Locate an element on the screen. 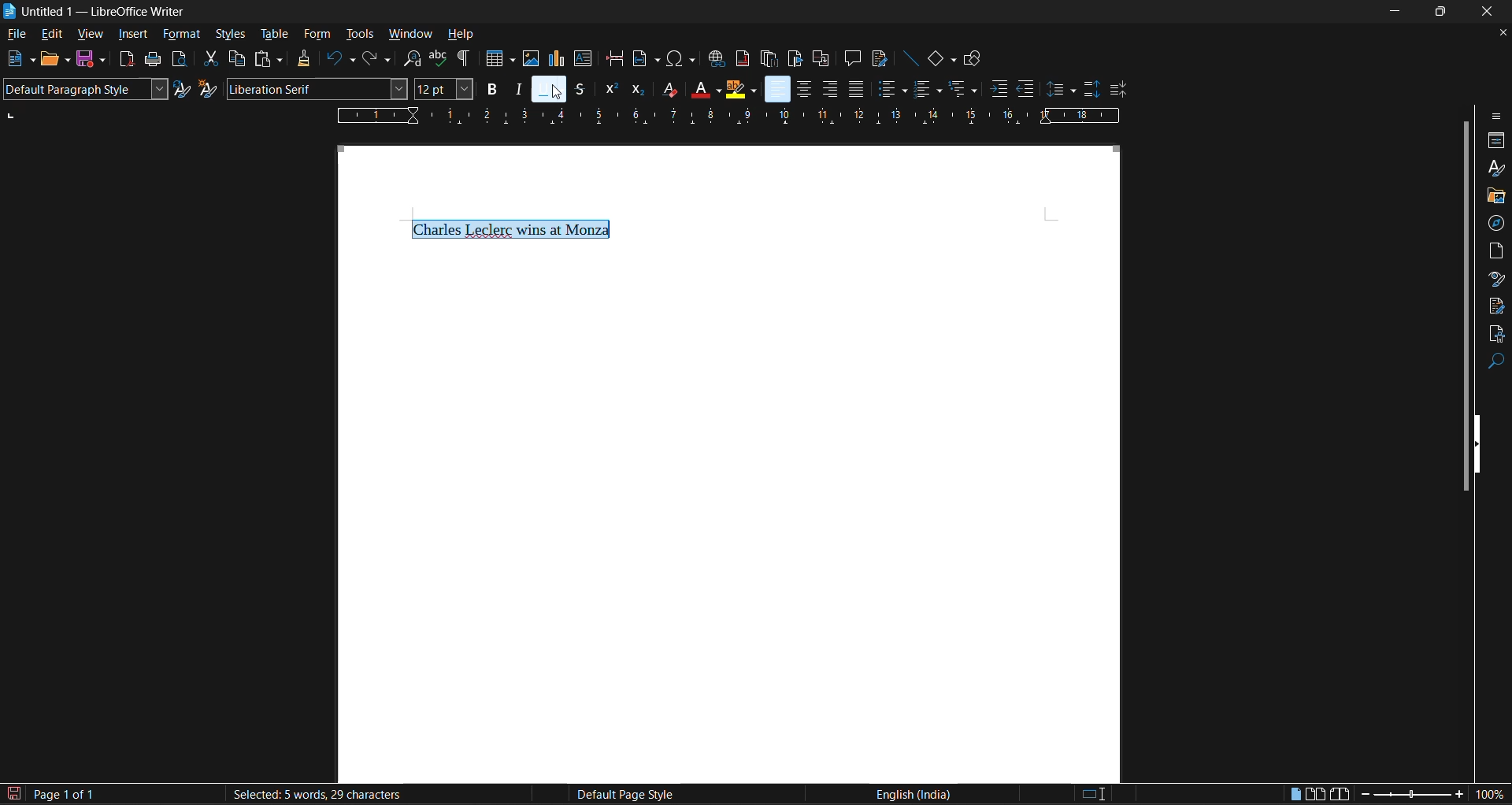  character highlighting yellow is located at coordinates (741, 90).